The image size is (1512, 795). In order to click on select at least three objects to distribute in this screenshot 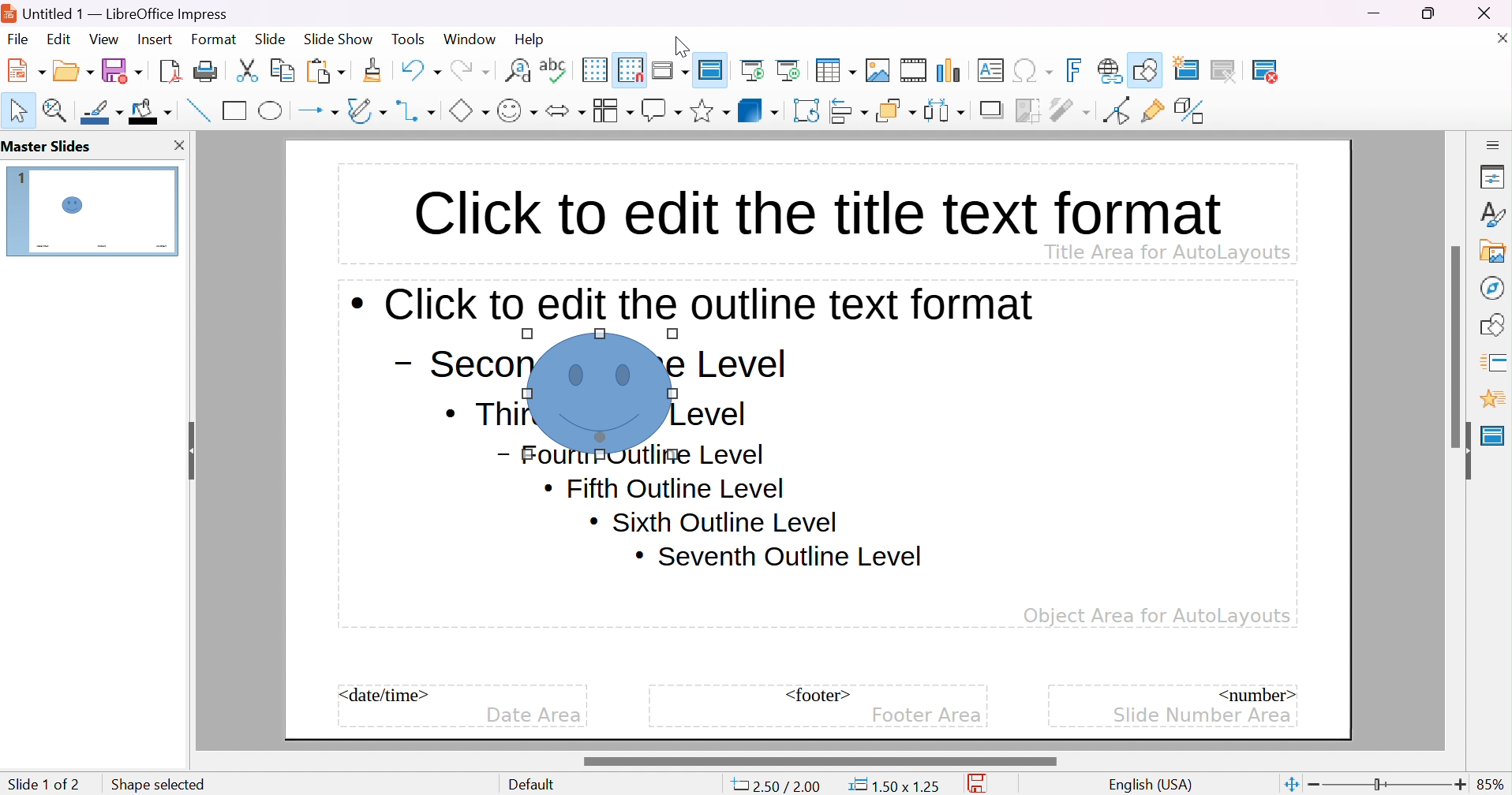, I will do `click(945, 110)`.